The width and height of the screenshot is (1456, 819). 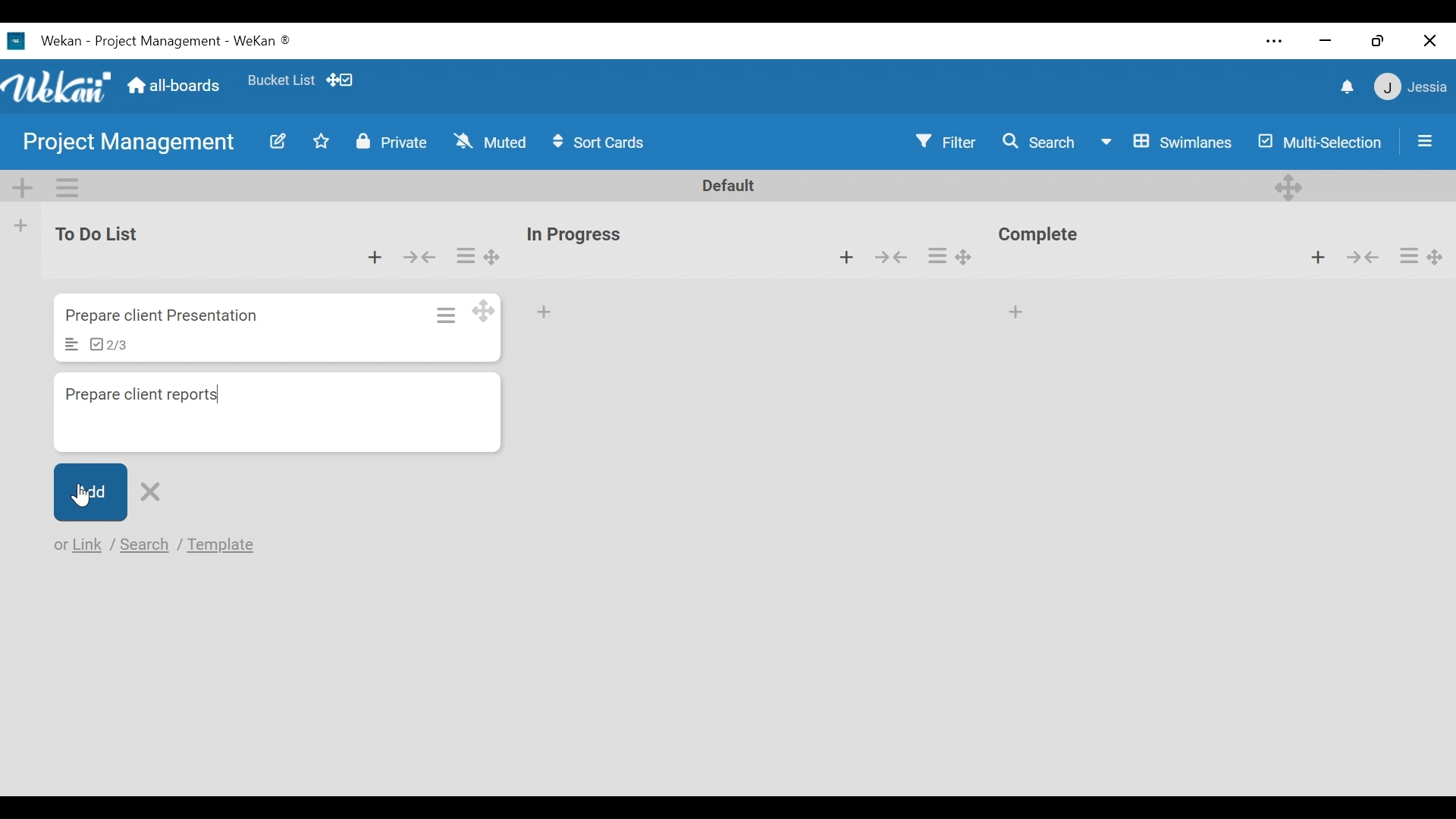 What do you see at coordinates (24, 184) in the screenshot?
I see `Add Swimlane` at bounding box center [24, 184].